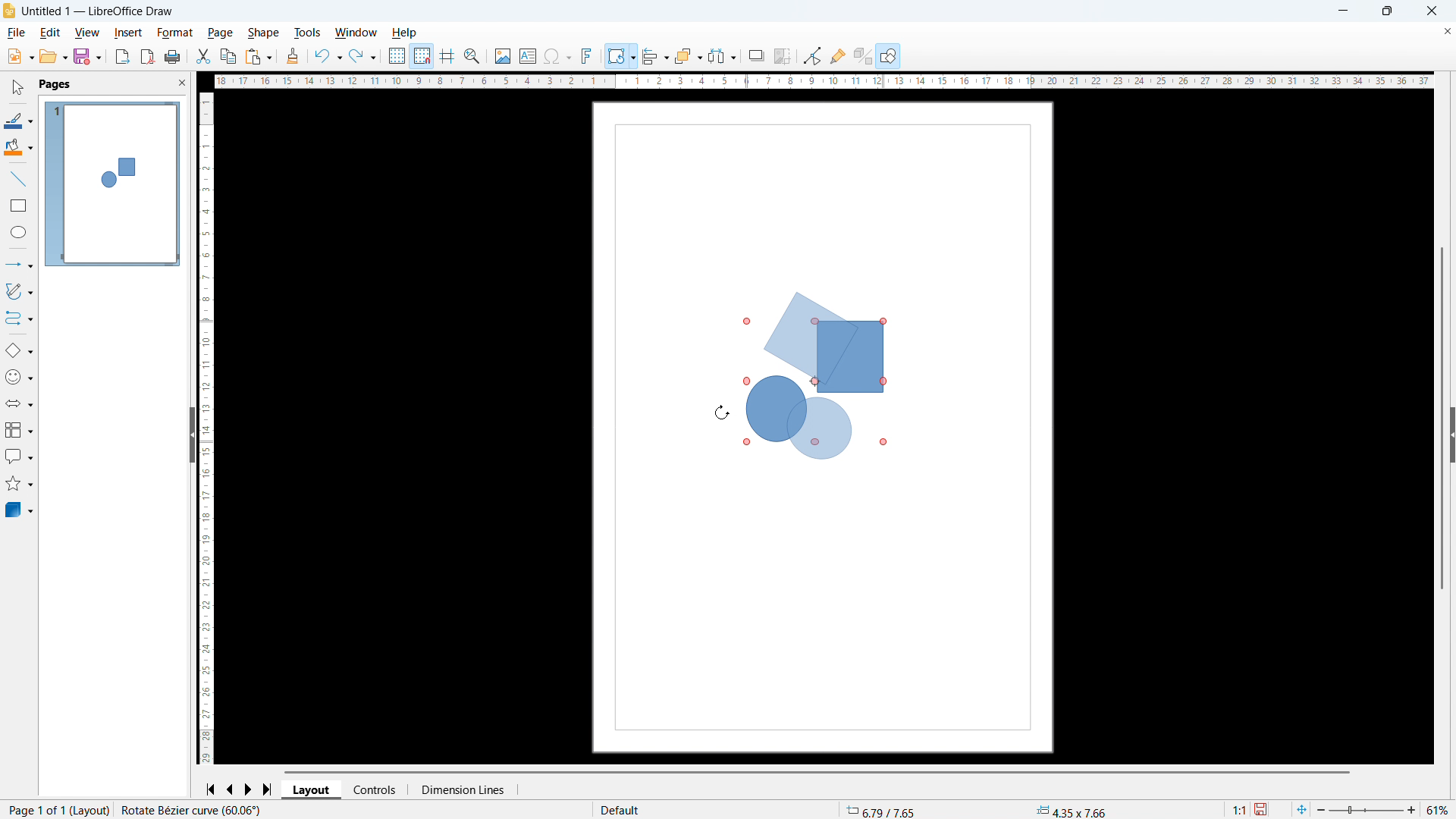 The width and height of the screenshot is (1456, 819). I want to click on Block arrow , so click(19, 402).